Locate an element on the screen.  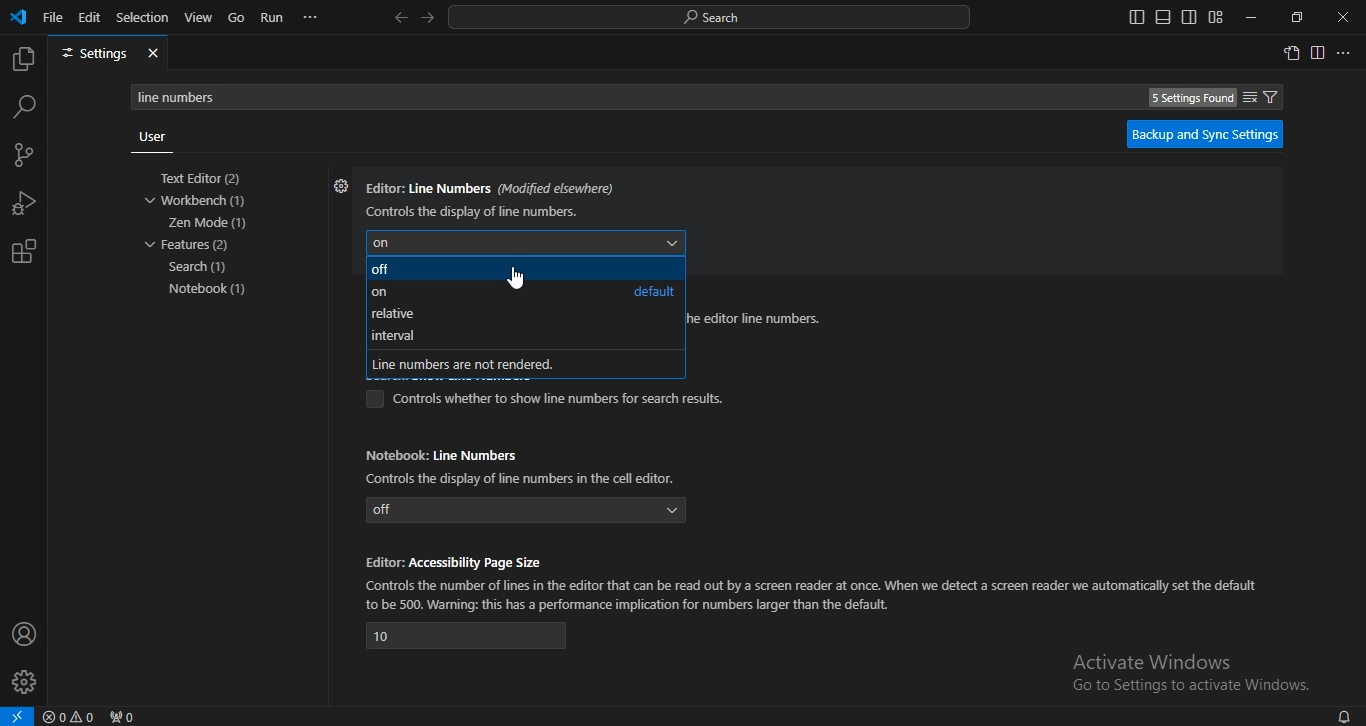
features is located at coordinates (189, 245).